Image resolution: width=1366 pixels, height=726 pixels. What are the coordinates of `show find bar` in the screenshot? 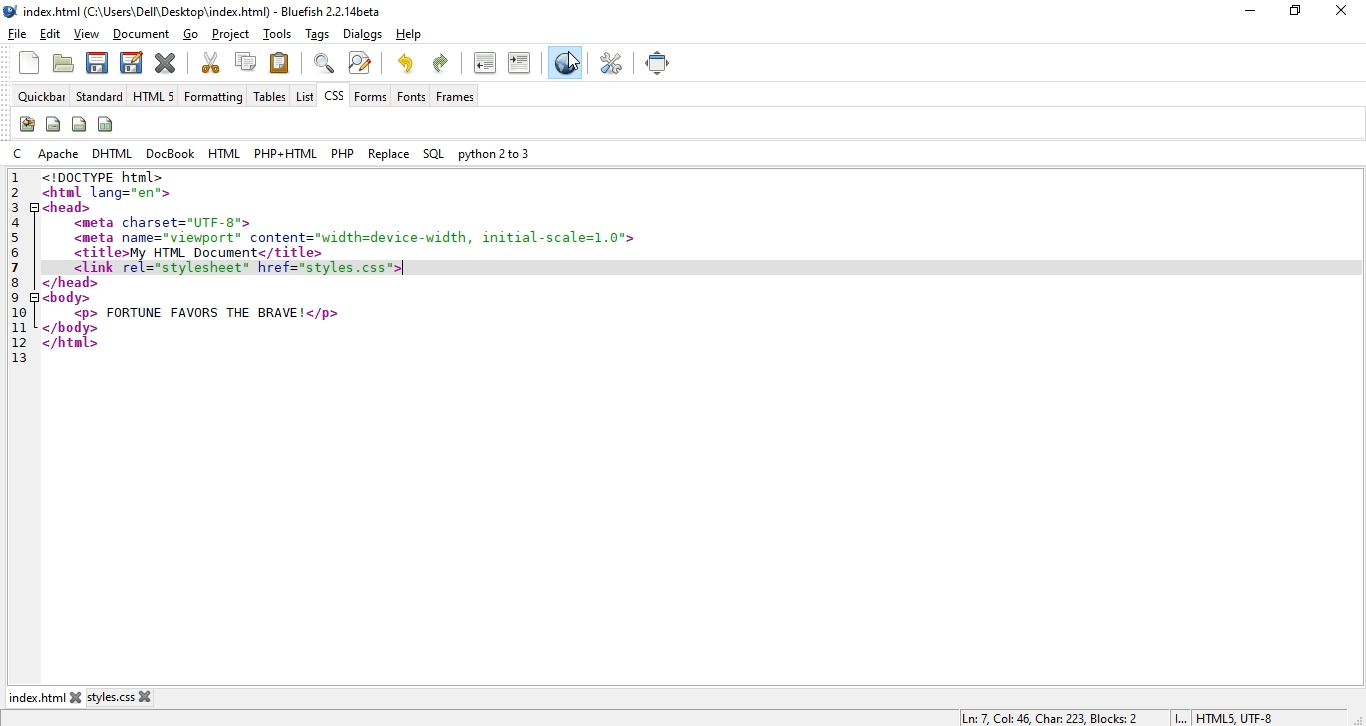 It's located at (324, 62).